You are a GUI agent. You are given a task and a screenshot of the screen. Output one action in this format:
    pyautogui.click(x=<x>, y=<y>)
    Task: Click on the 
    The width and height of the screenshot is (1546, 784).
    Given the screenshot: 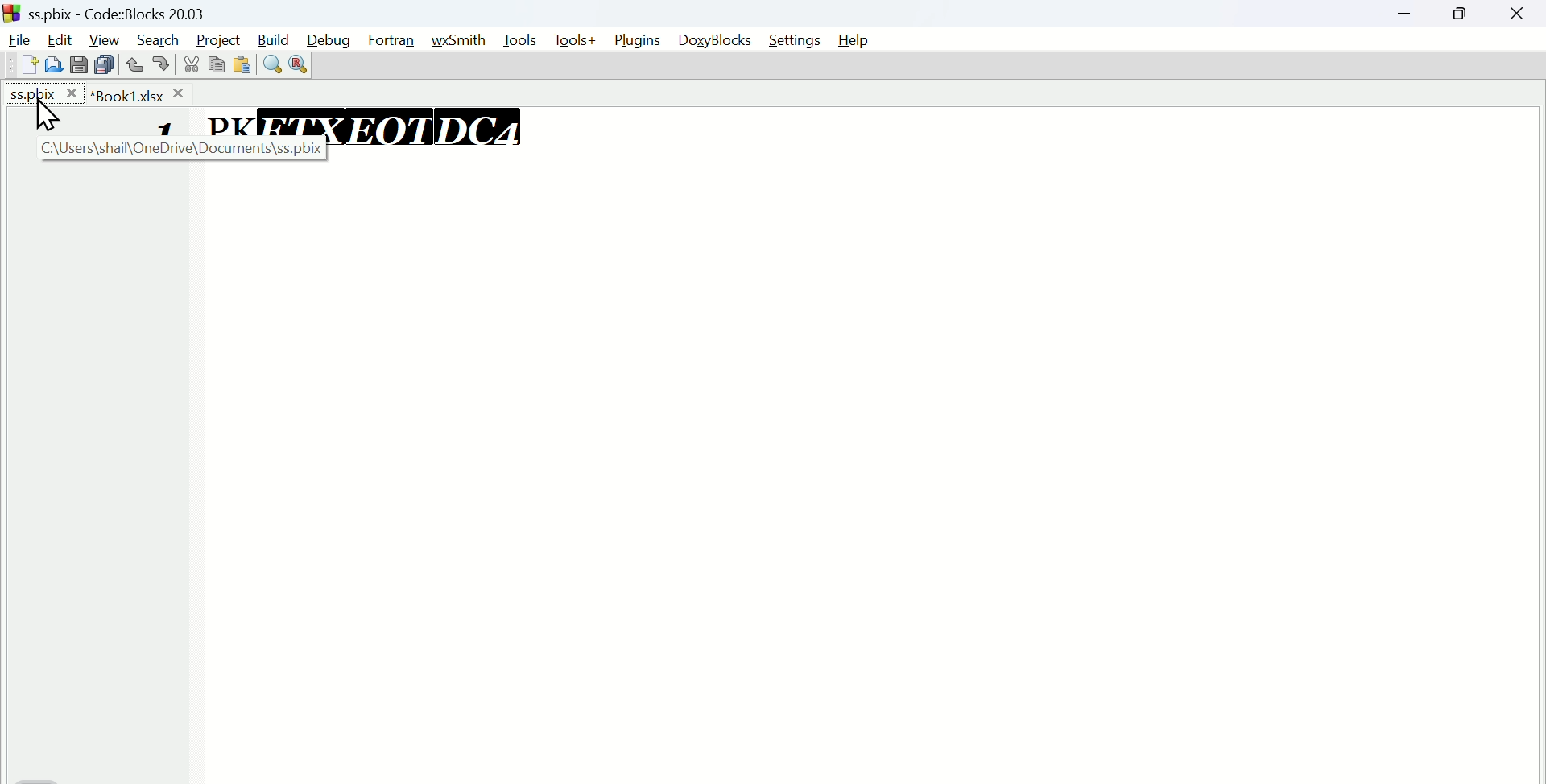 What is the action you would take?
    pyautogui.click(x=523, y=40)
    